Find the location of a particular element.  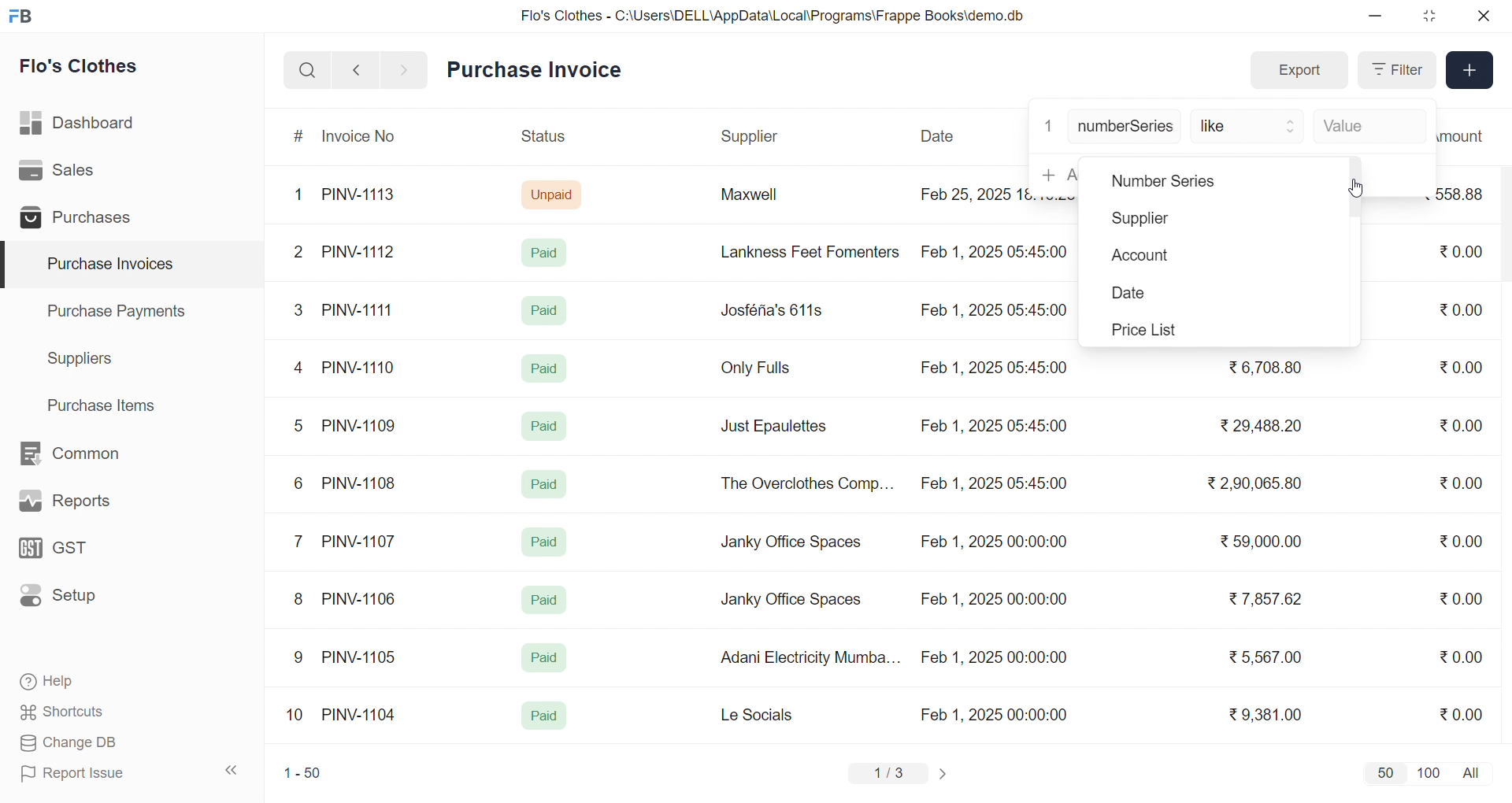

Purchase Payments is located at coordinates (121, 310).